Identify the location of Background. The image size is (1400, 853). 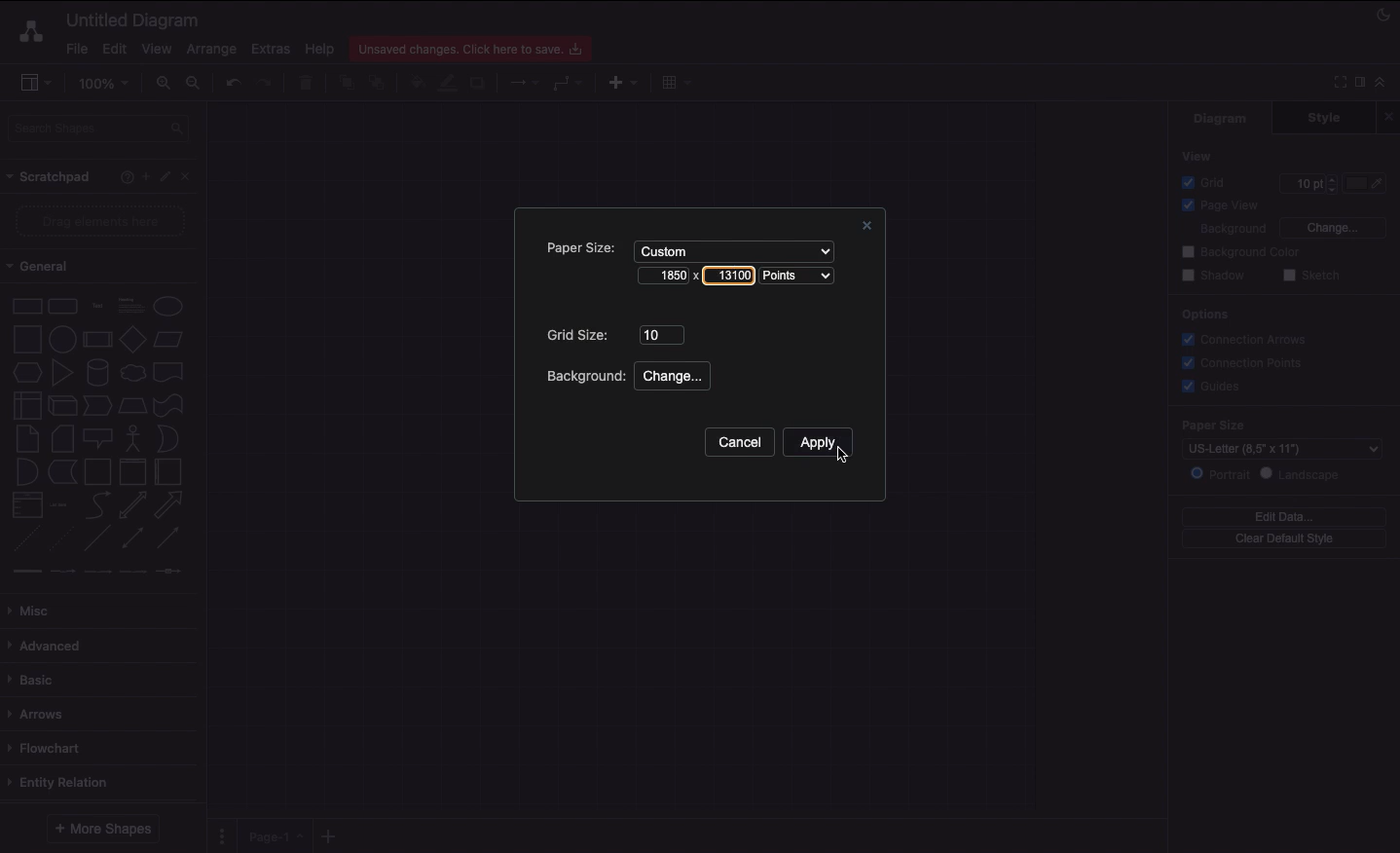
(583, 376).